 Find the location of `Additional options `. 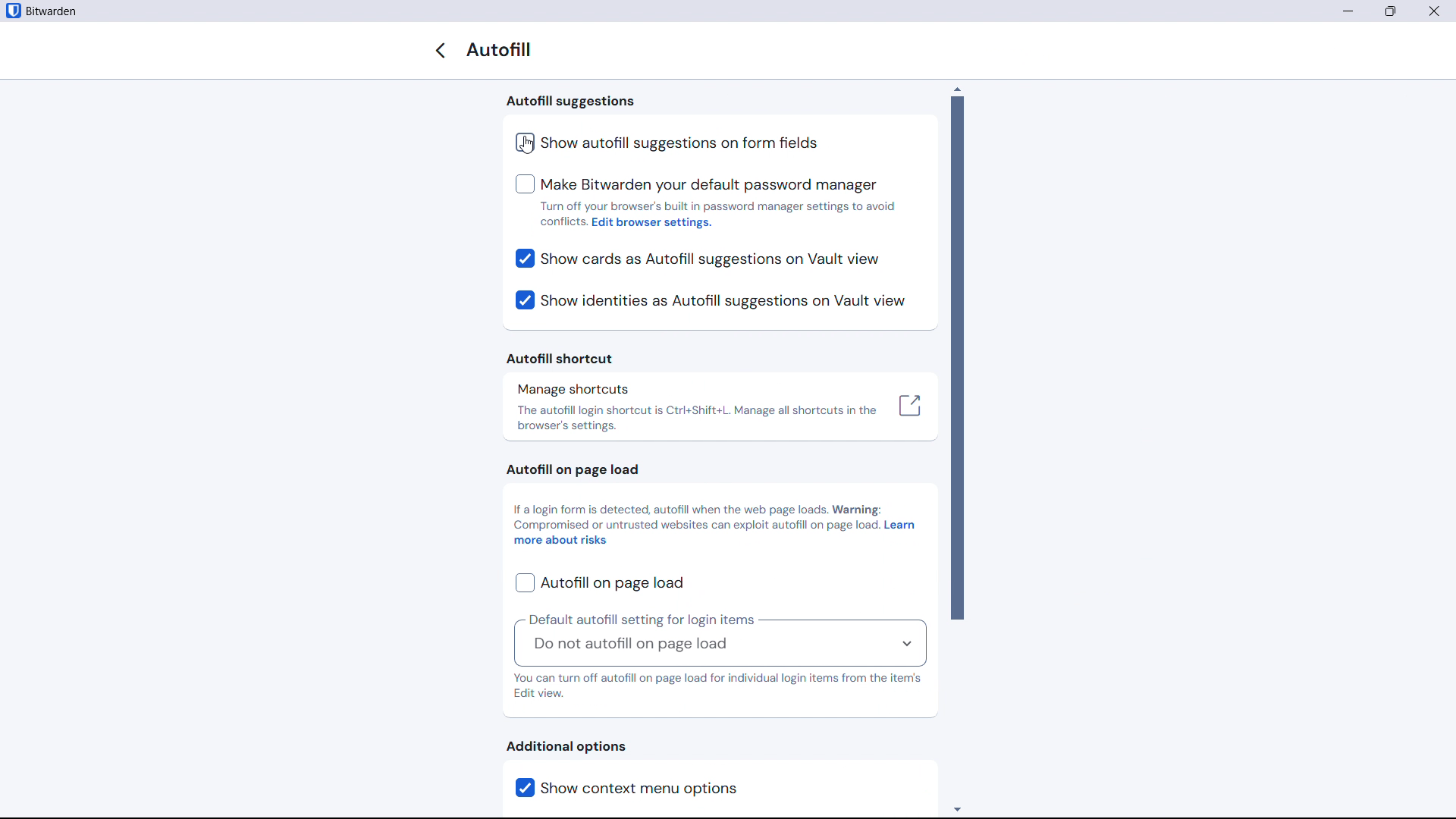

Additional options  is located at coordinates (566, 746).